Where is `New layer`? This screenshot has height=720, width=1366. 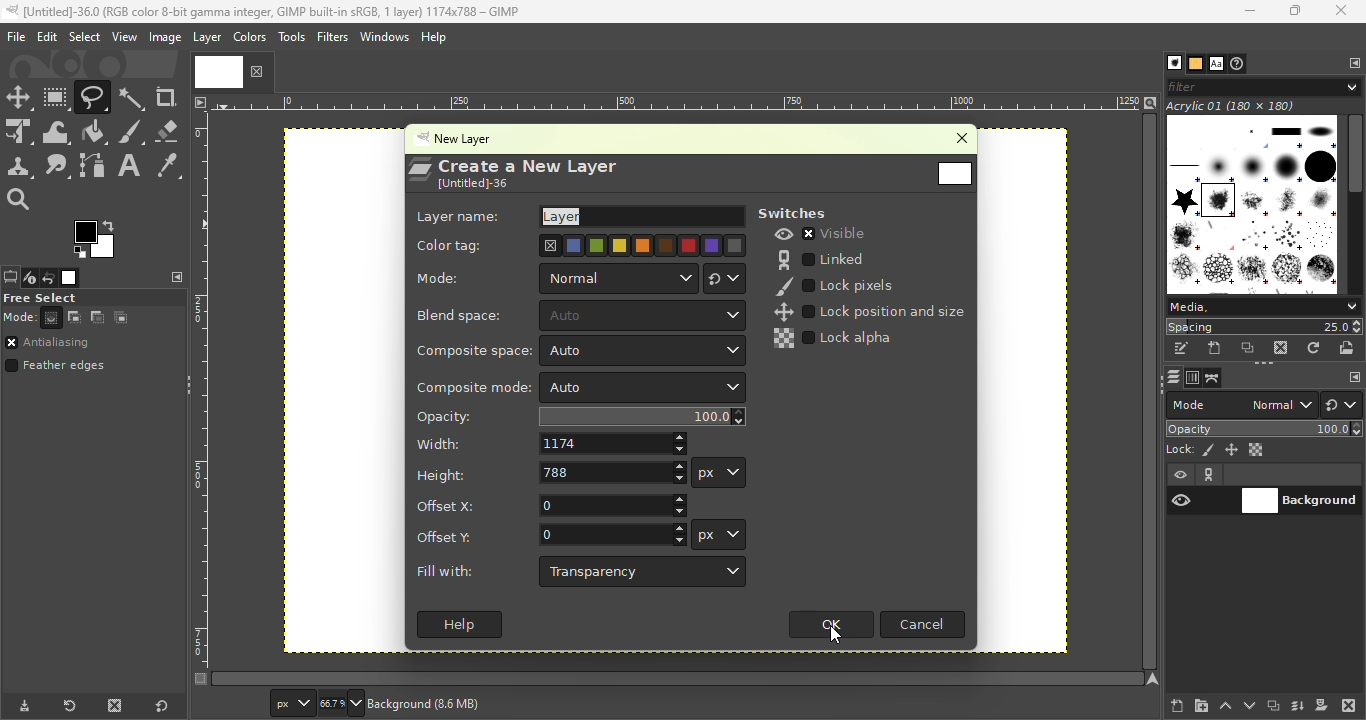 New layer is located at coordinates (463, 139).